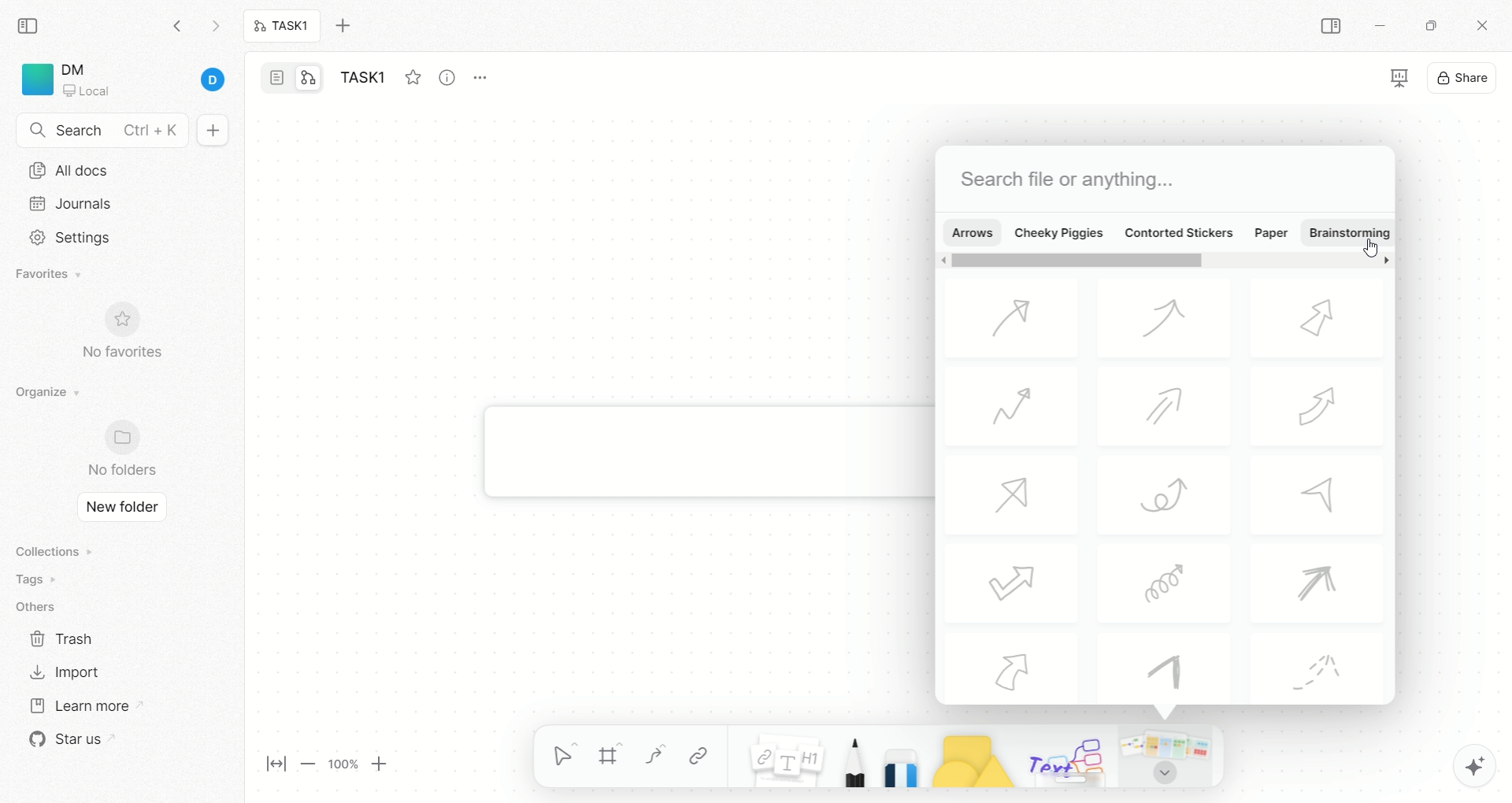 Image resolution: width=1512 pixels, height=803 pixels. I want to click on task1, so click(367, 80).